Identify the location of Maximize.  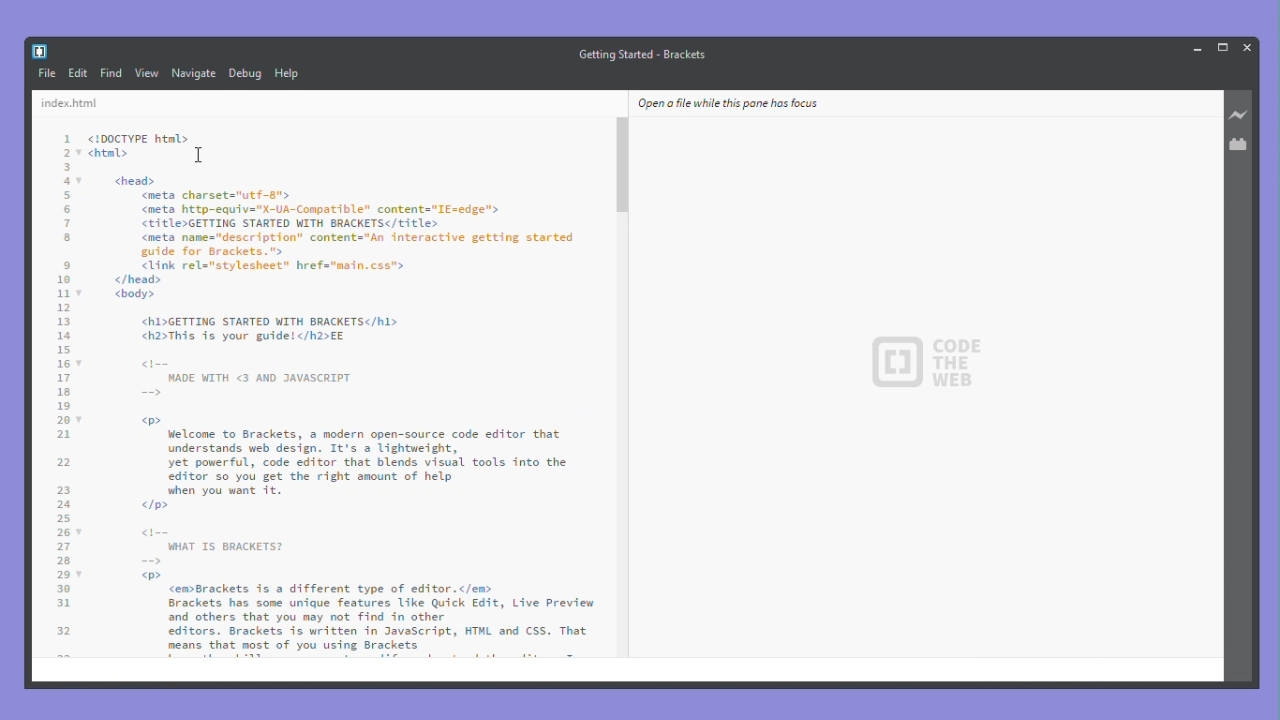
(1225, 46).